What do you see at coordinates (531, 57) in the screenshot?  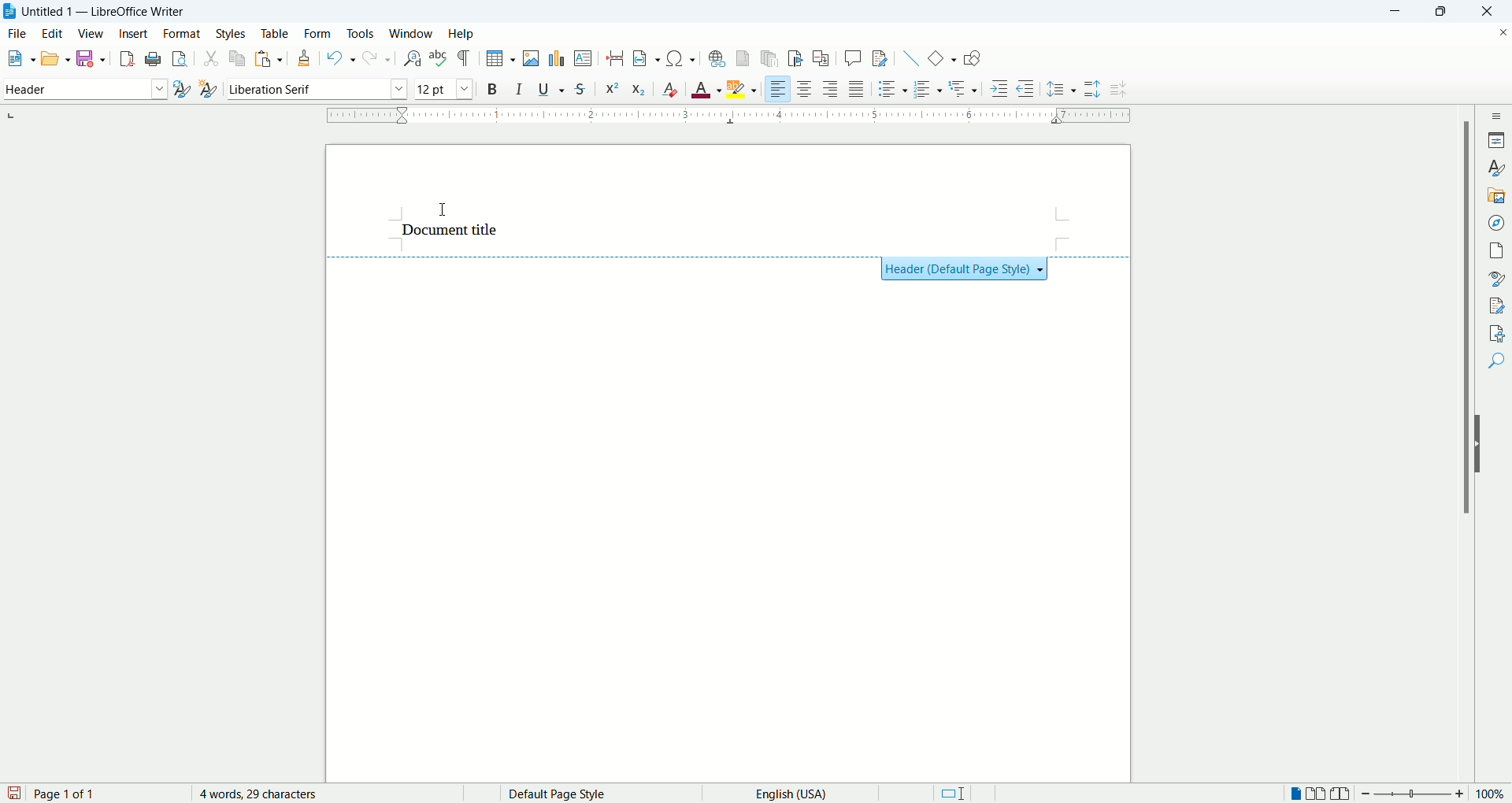 I see `insert image` at bounding box center [531, 57].